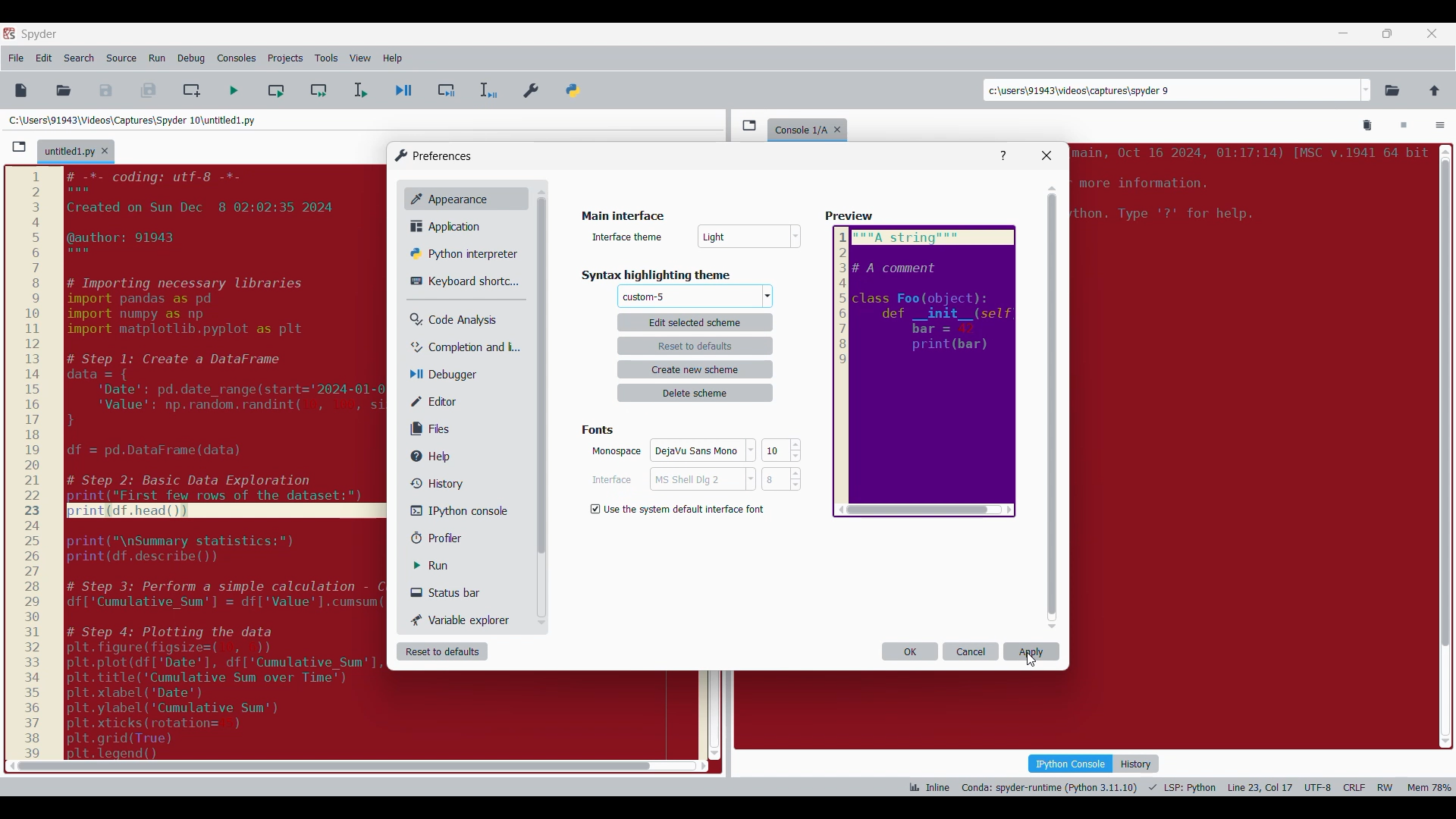  What do you see at coordinates (442, 651) in the screenshot?
I see `Reset to defaults` at bounding box center [442, 651].